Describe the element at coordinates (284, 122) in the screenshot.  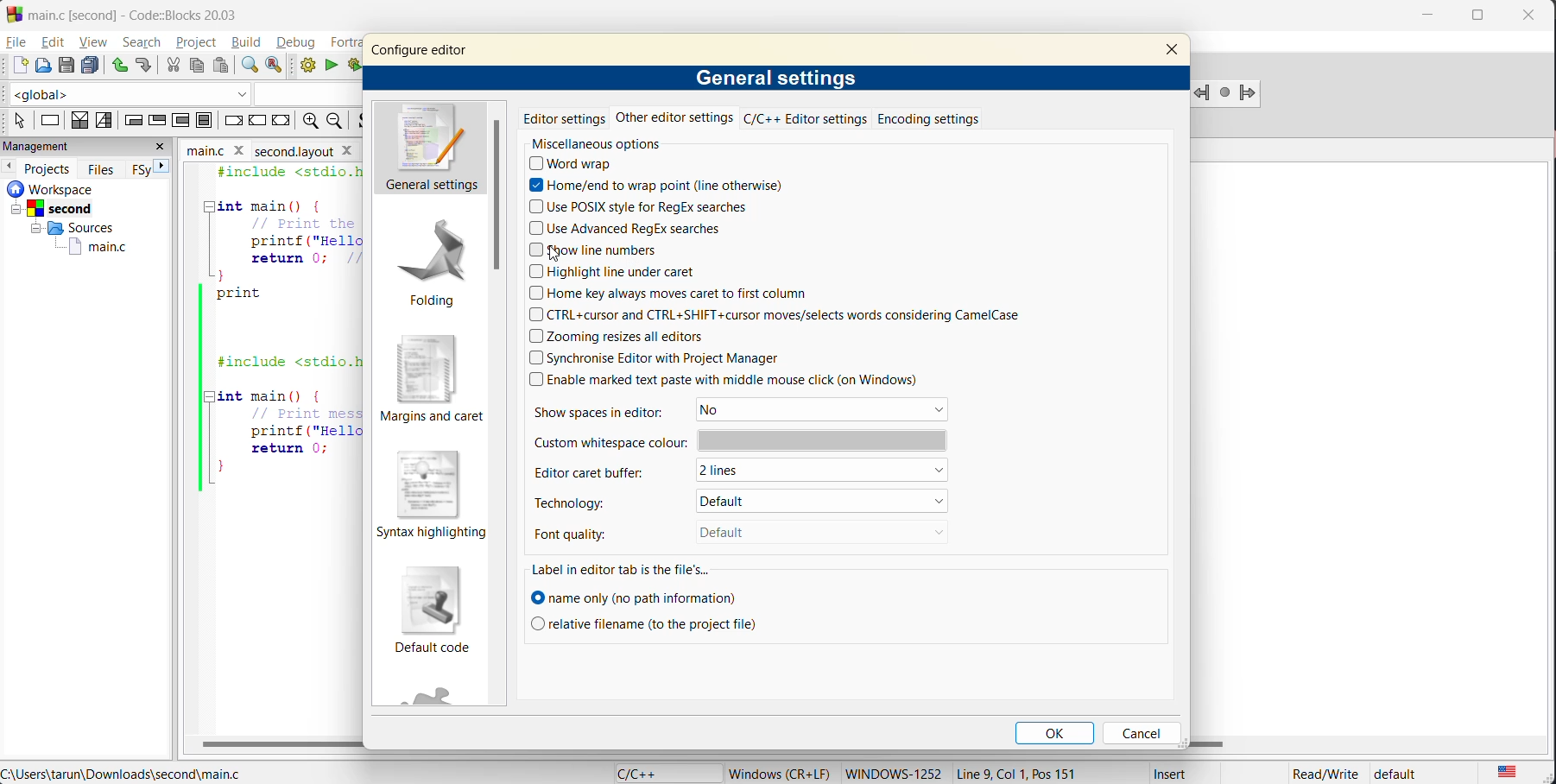
I see `return instruction` at that location.